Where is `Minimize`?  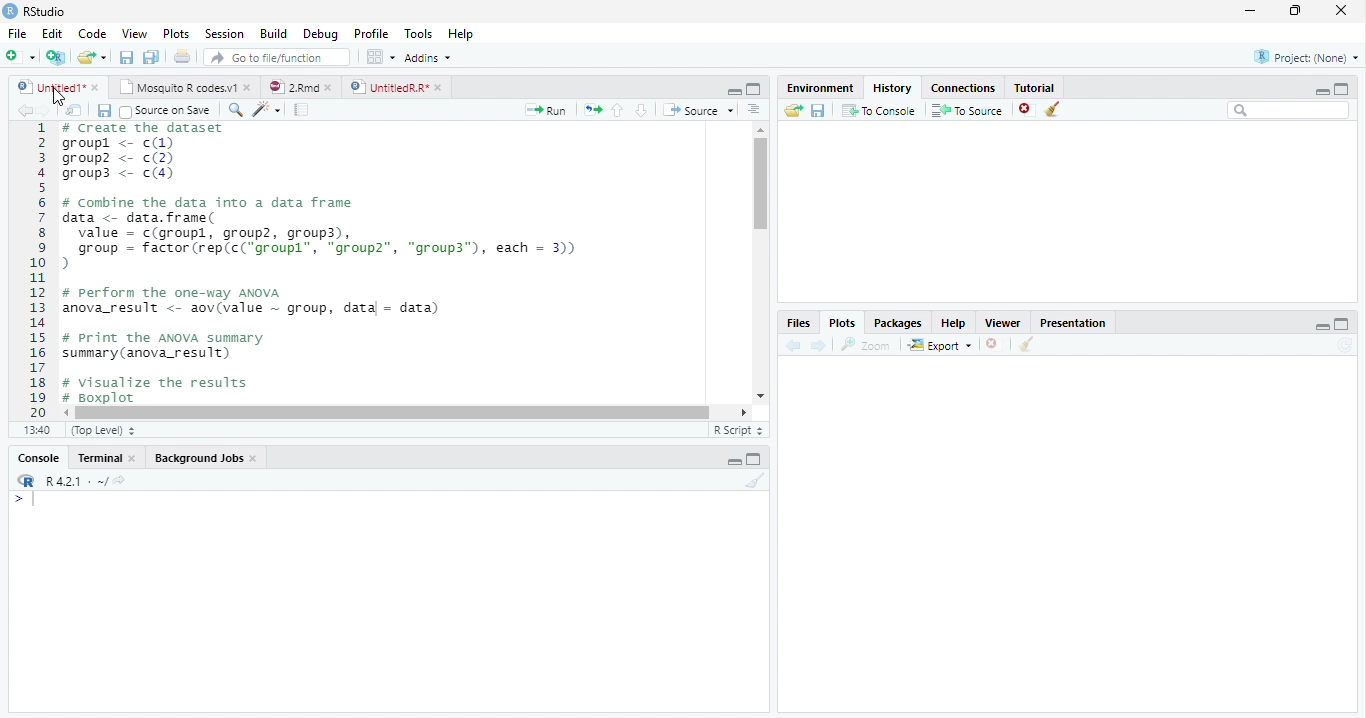
Minimize is located at coordinates (1251, 12).